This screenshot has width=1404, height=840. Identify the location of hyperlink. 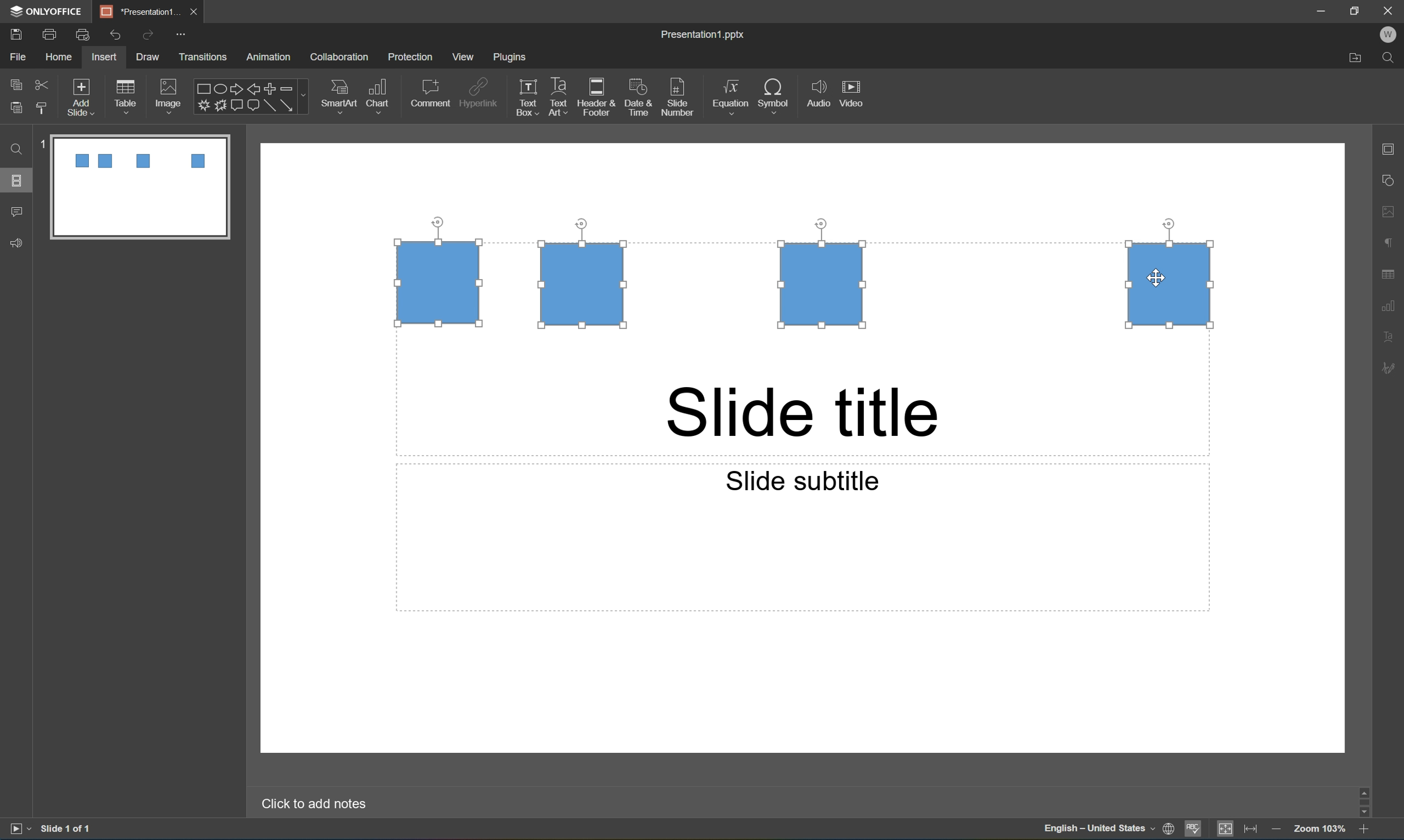
(480, 91).